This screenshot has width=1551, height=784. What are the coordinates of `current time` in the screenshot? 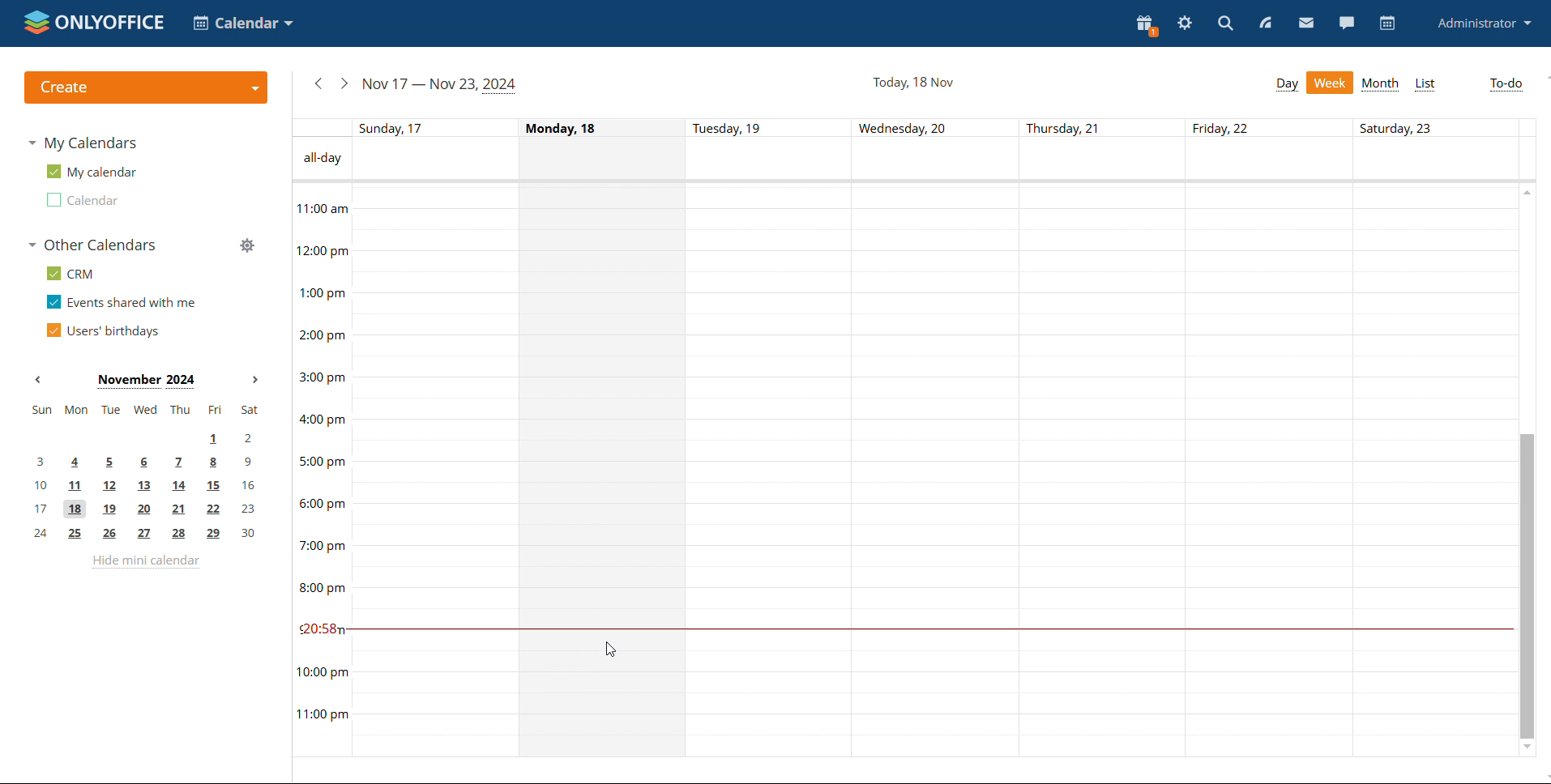 It's located at (929, 628).